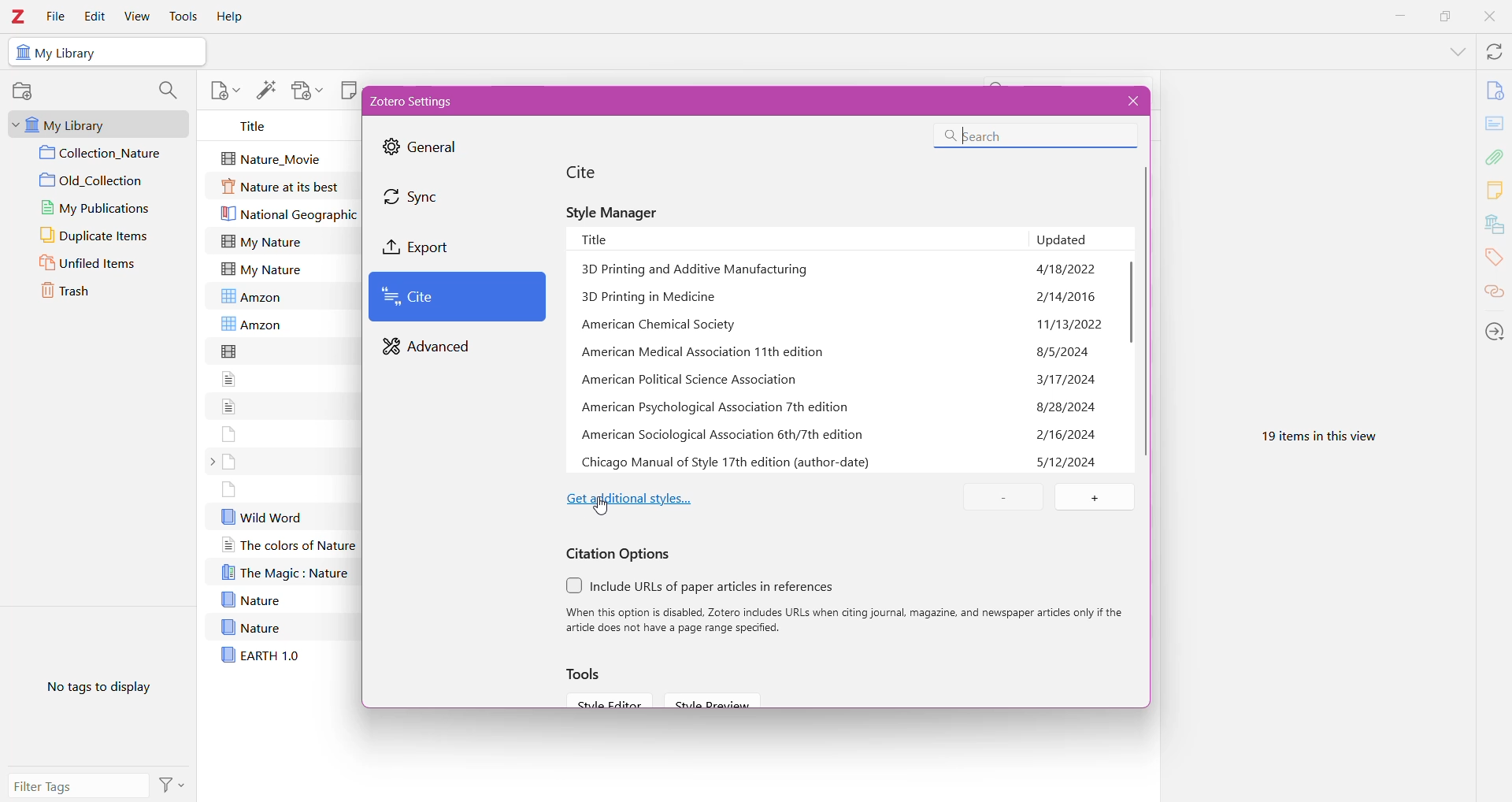 This screenshot has width=1512, height=802. I want to click on American Psychological Association 7th edition, so click(720, 407).